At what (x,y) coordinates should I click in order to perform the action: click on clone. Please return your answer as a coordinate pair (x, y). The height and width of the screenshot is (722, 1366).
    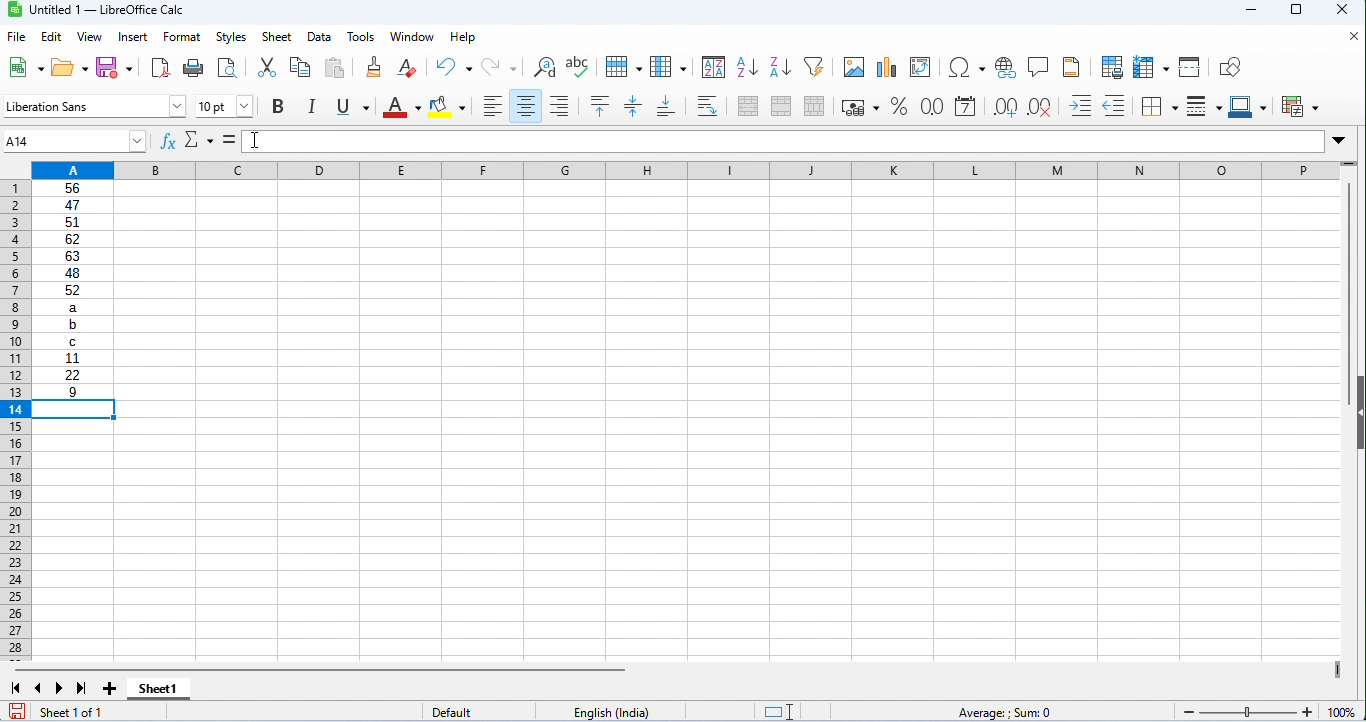
    Looking at the image, I should click on (371, 67).